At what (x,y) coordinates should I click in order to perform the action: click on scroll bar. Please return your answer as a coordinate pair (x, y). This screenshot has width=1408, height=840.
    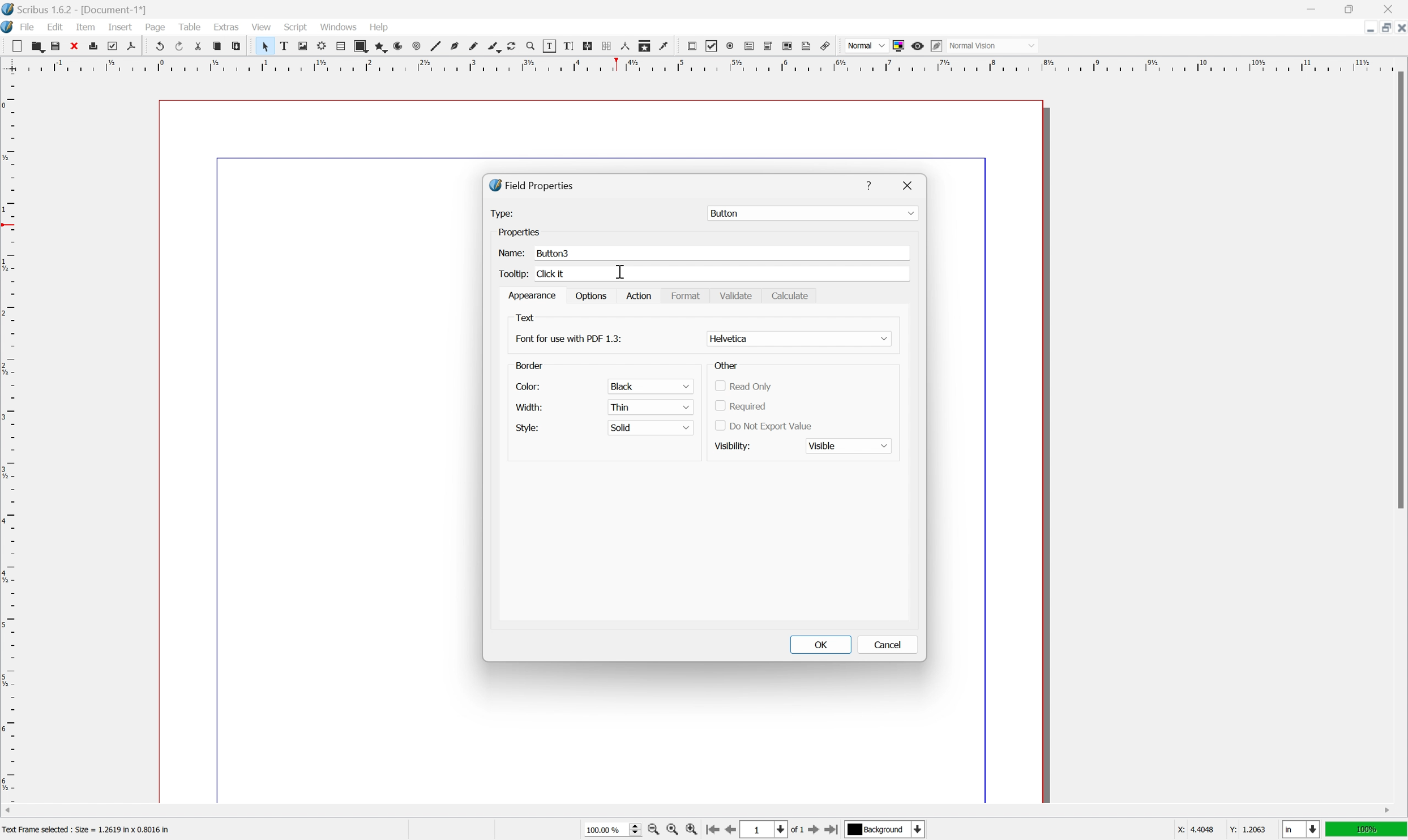
    Looking at the image, I should click on (699, 810).